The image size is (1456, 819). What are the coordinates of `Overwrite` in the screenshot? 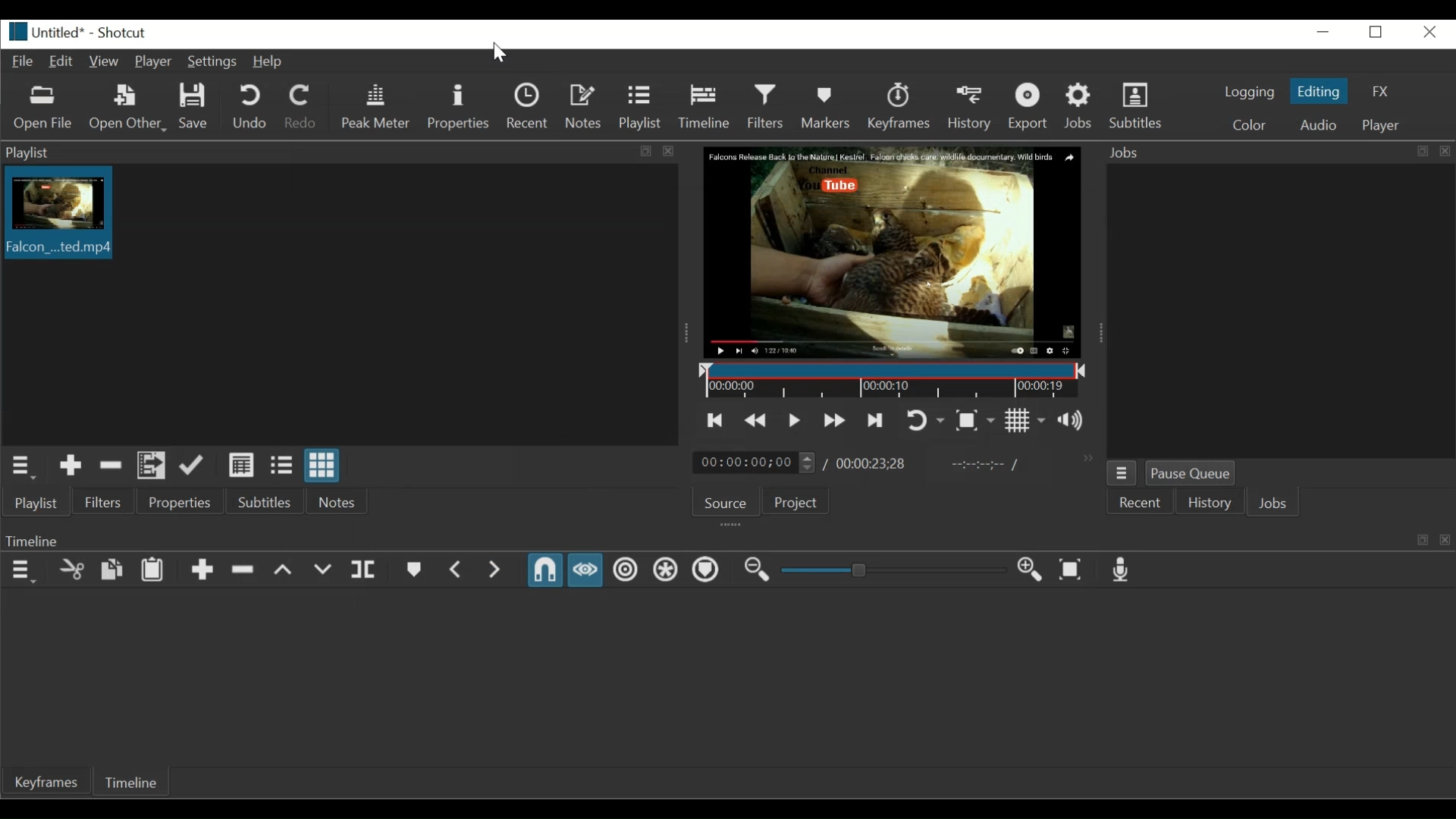 It's located at (324, 571).